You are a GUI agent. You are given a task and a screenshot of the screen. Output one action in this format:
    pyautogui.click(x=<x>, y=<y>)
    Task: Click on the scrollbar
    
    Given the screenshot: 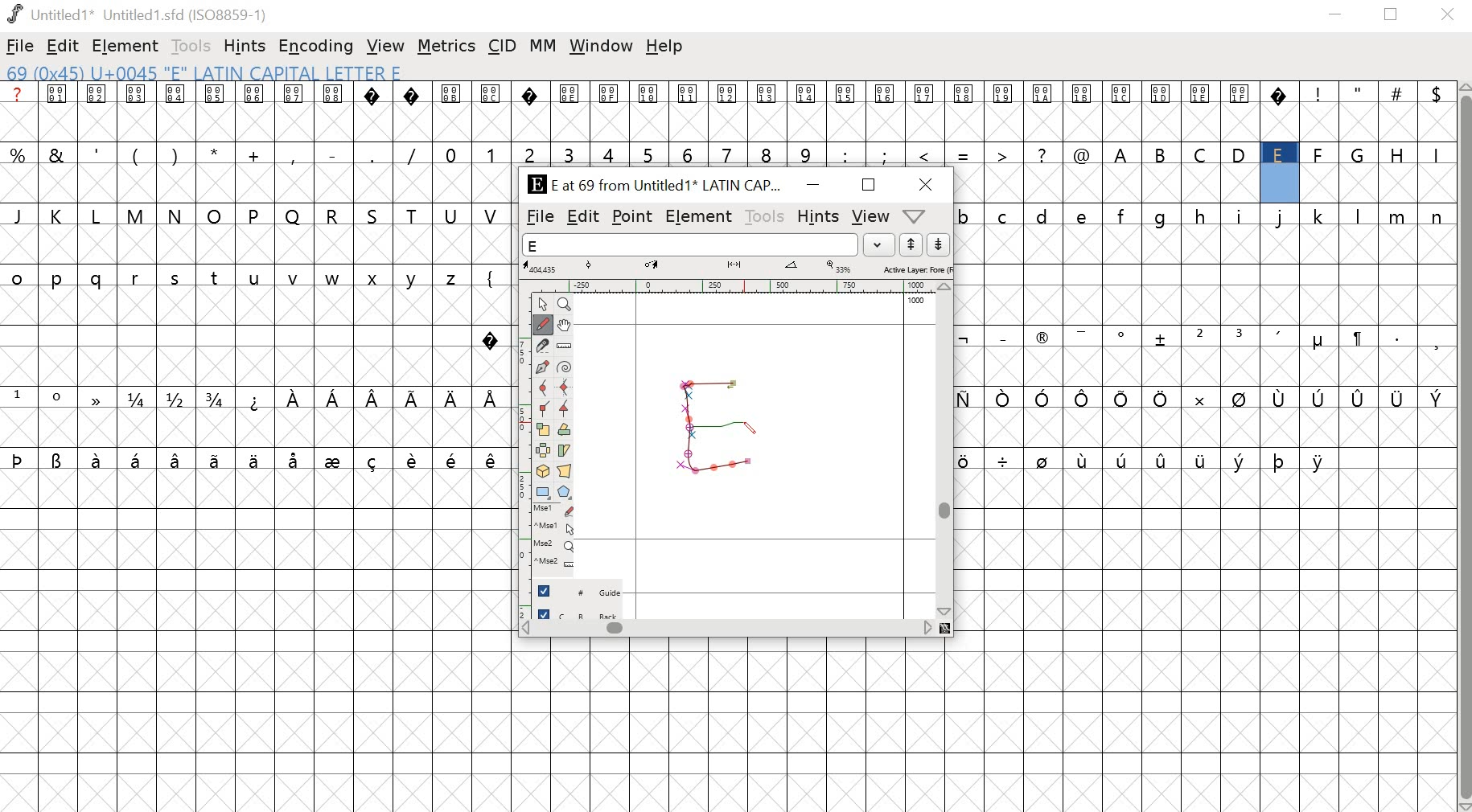 What is the action you would take?
    pyautogui.click(x=734, y=630)
    